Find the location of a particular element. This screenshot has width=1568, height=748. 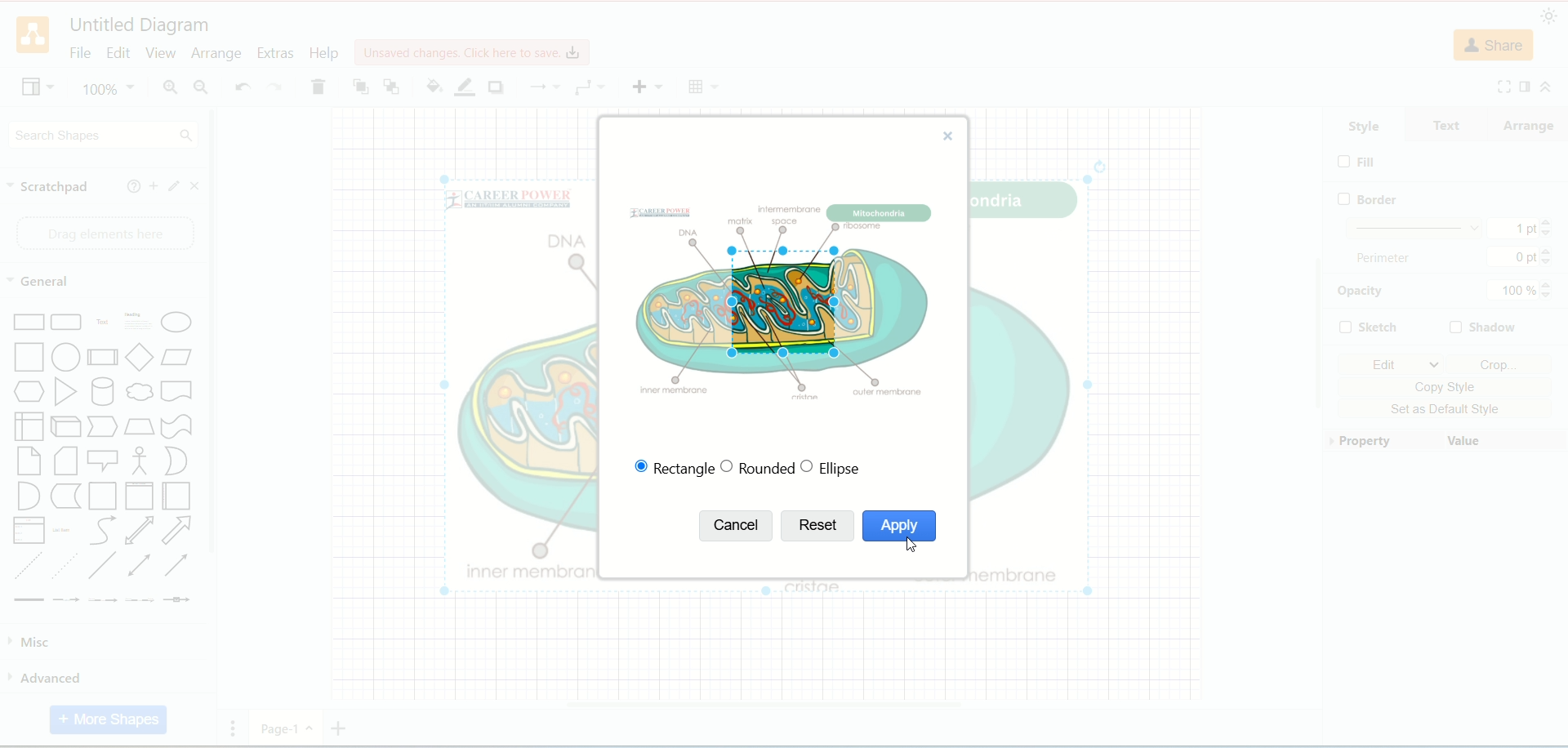

Cylinder is located at coordinates (105, 394).